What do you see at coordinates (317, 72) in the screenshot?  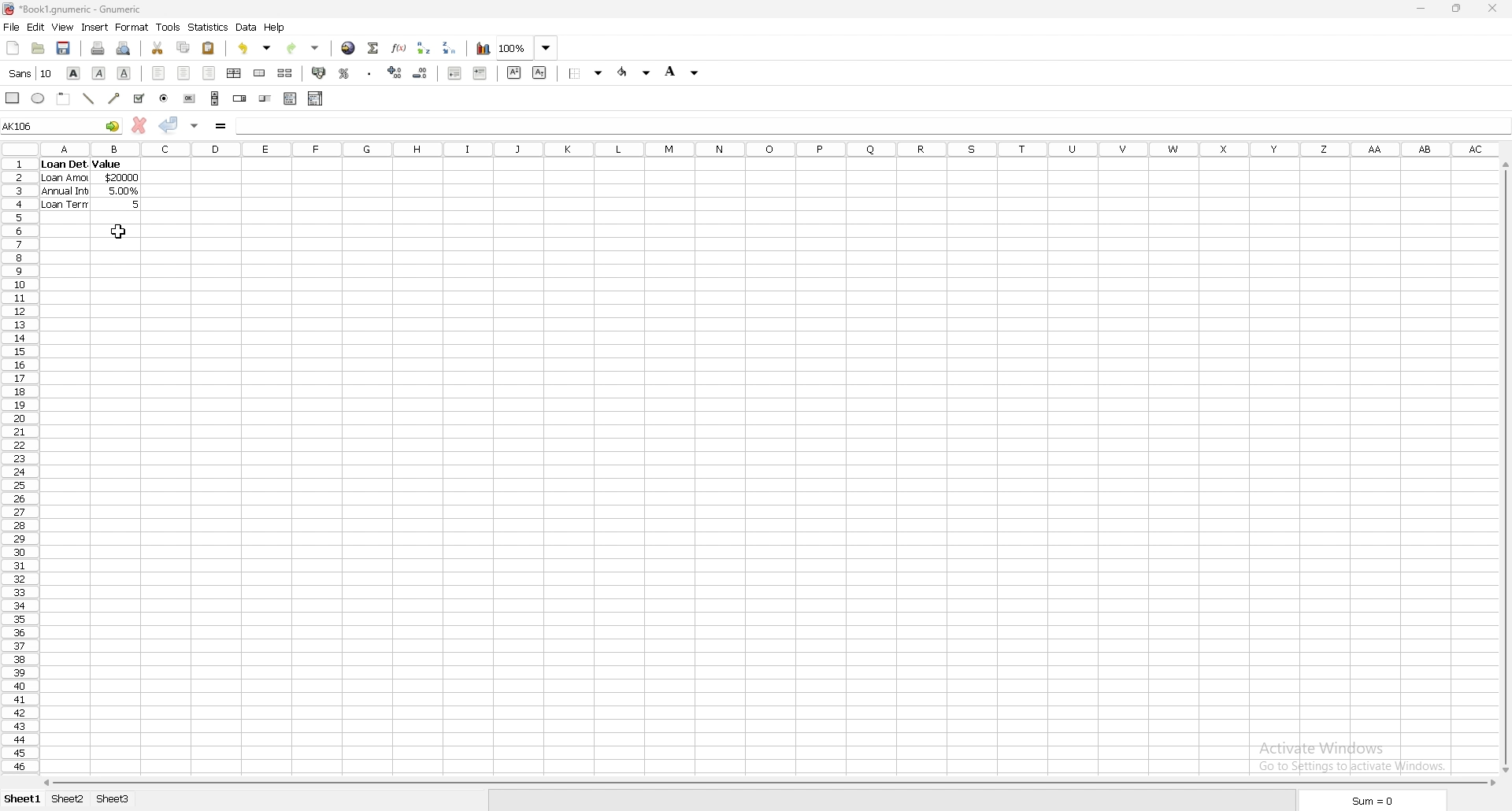 I see `accounting` at bounding box center [317, 72].